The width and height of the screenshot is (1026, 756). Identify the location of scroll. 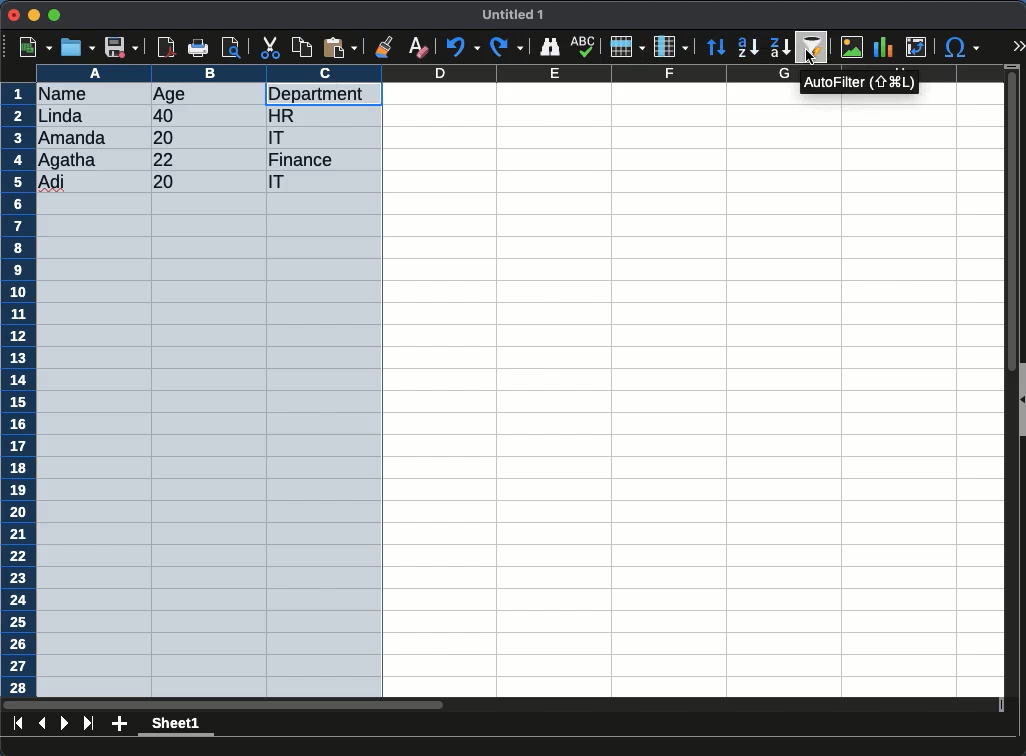
(1004, 384).